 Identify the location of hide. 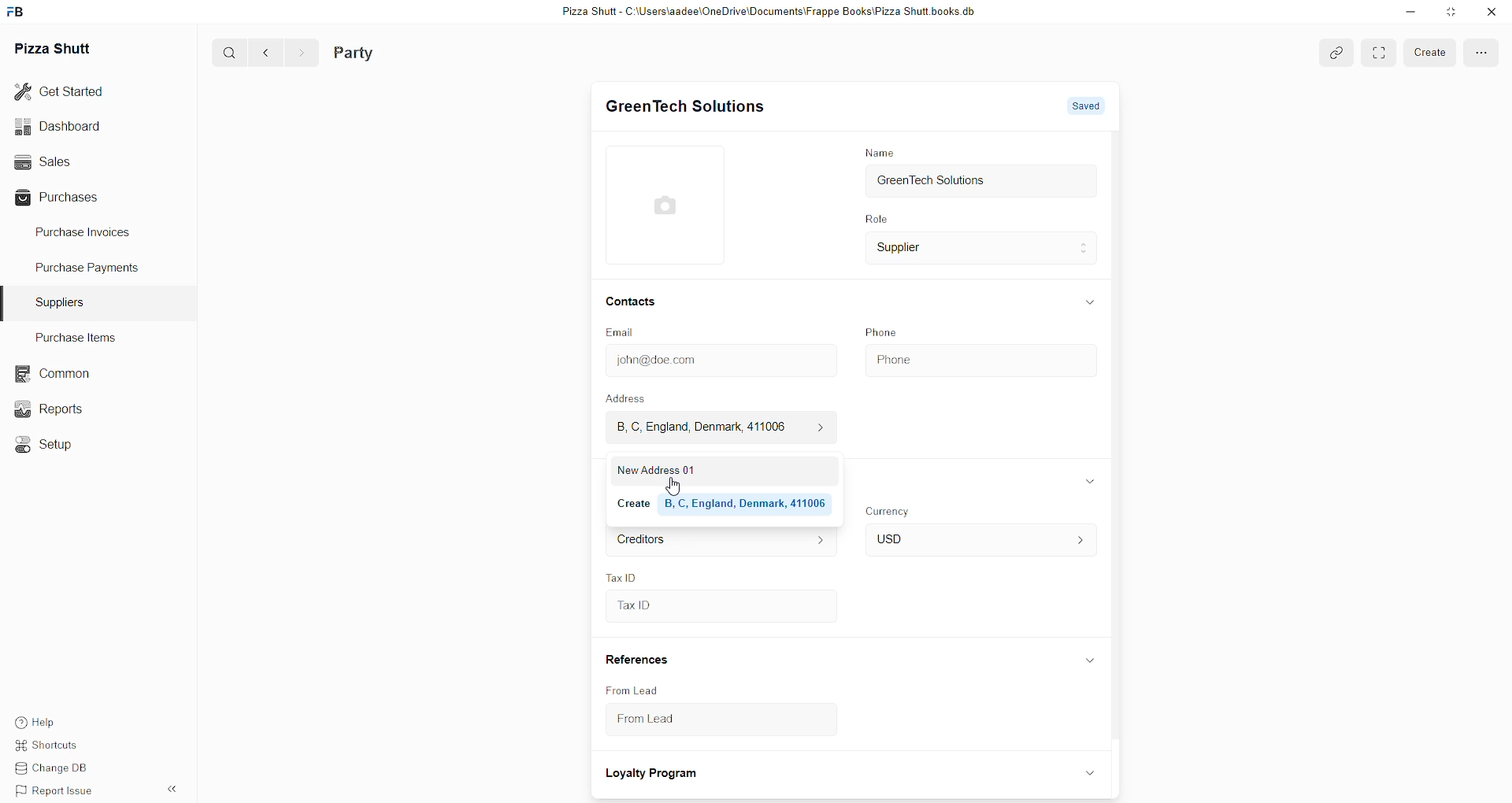
(1090, 301).